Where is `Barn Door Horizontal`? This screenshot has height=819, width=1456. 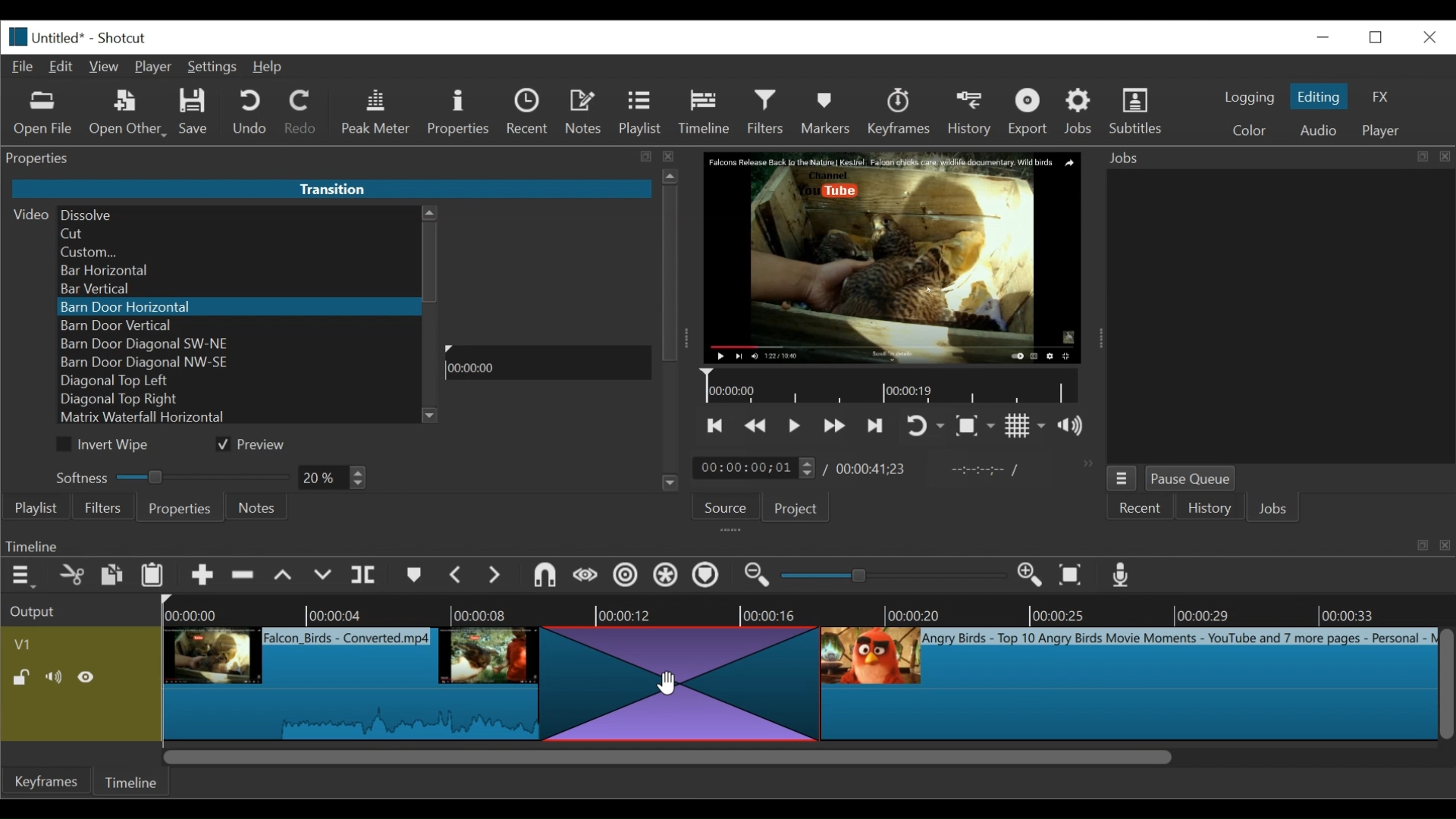
Barn Door Horizontal is located at coordinates (236, 307).